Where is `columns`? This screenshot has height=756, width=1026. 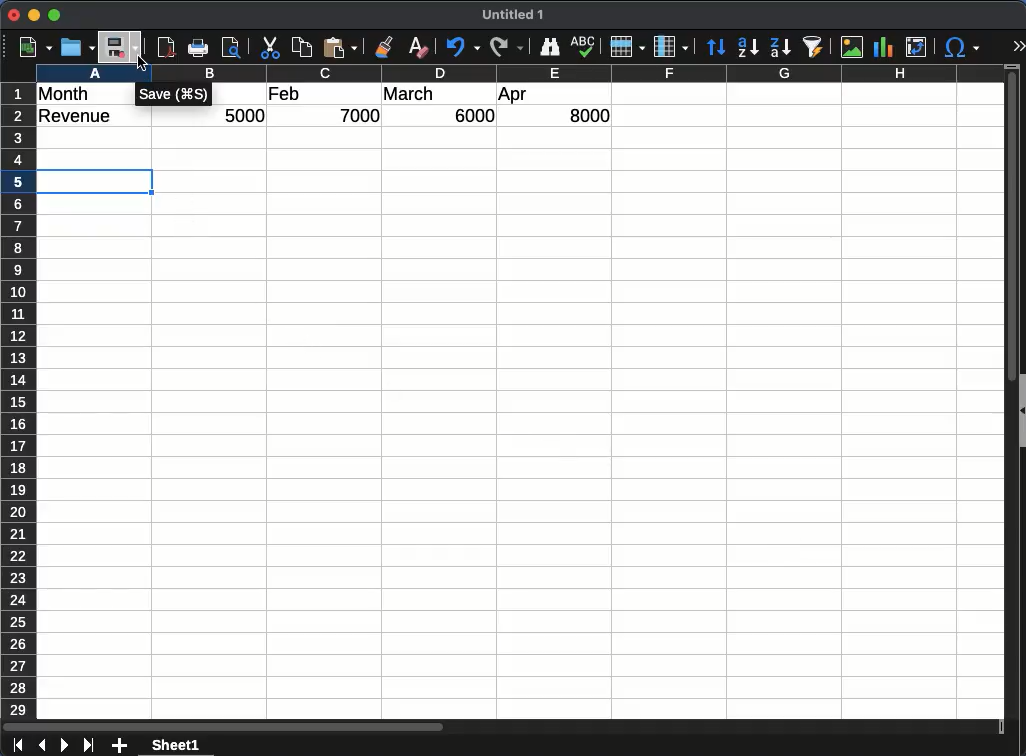 columns is located at coordinates (516, 74).